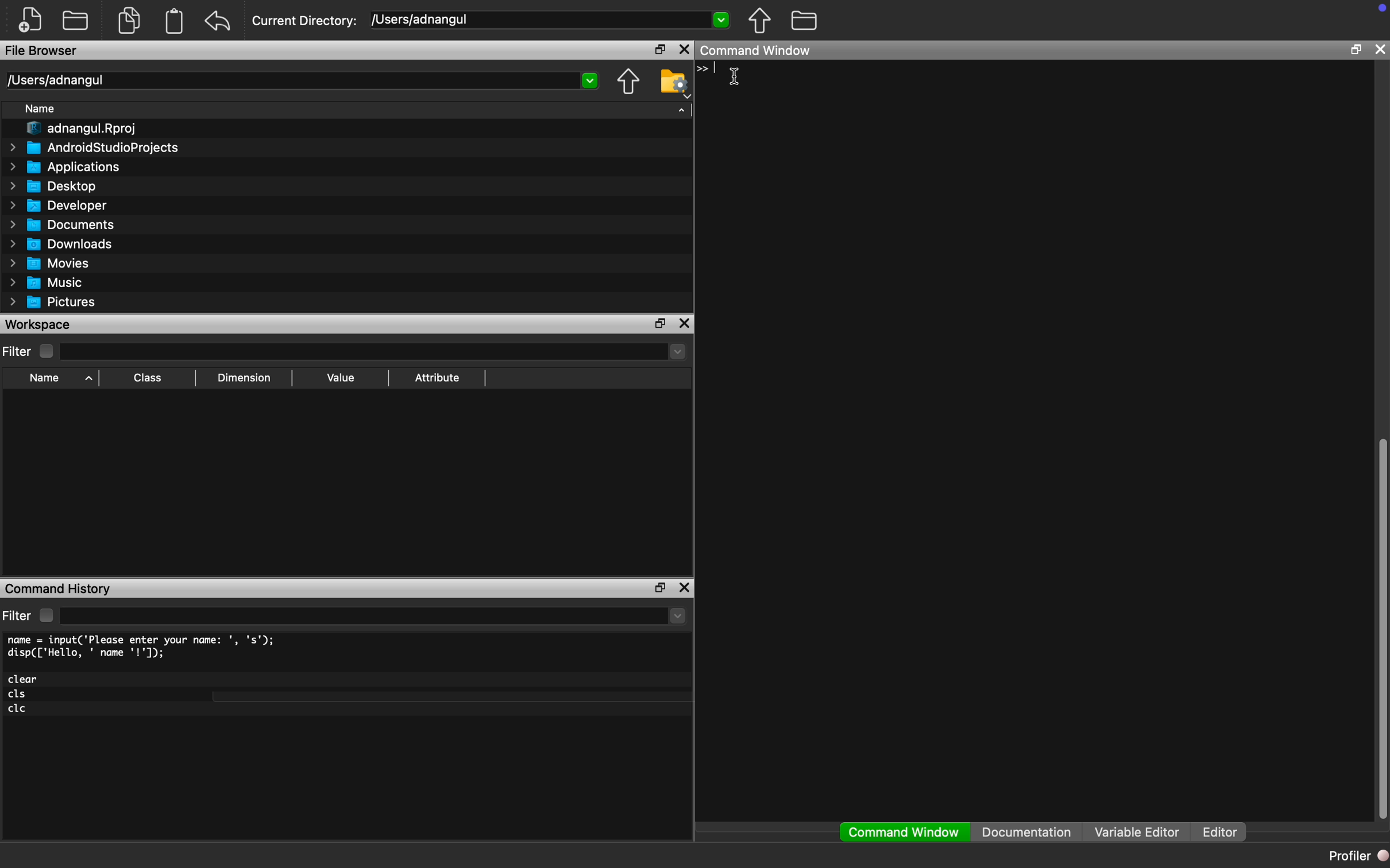 The image size is (1390, 868). I want to click on Pictures, so click(53, 303).